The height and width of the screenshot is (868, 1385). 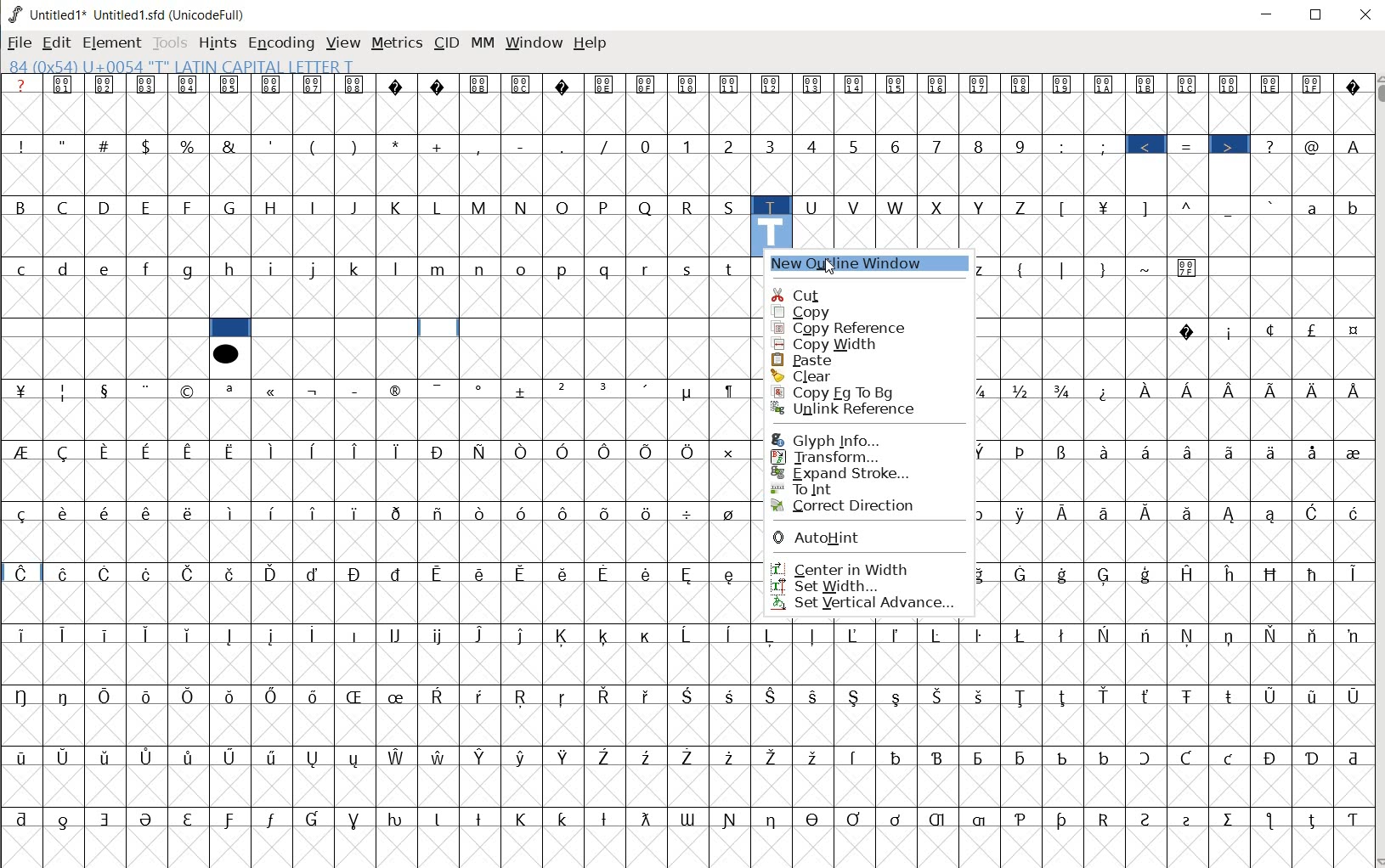 I want to click on Symbol, so click(x=815, y=634).